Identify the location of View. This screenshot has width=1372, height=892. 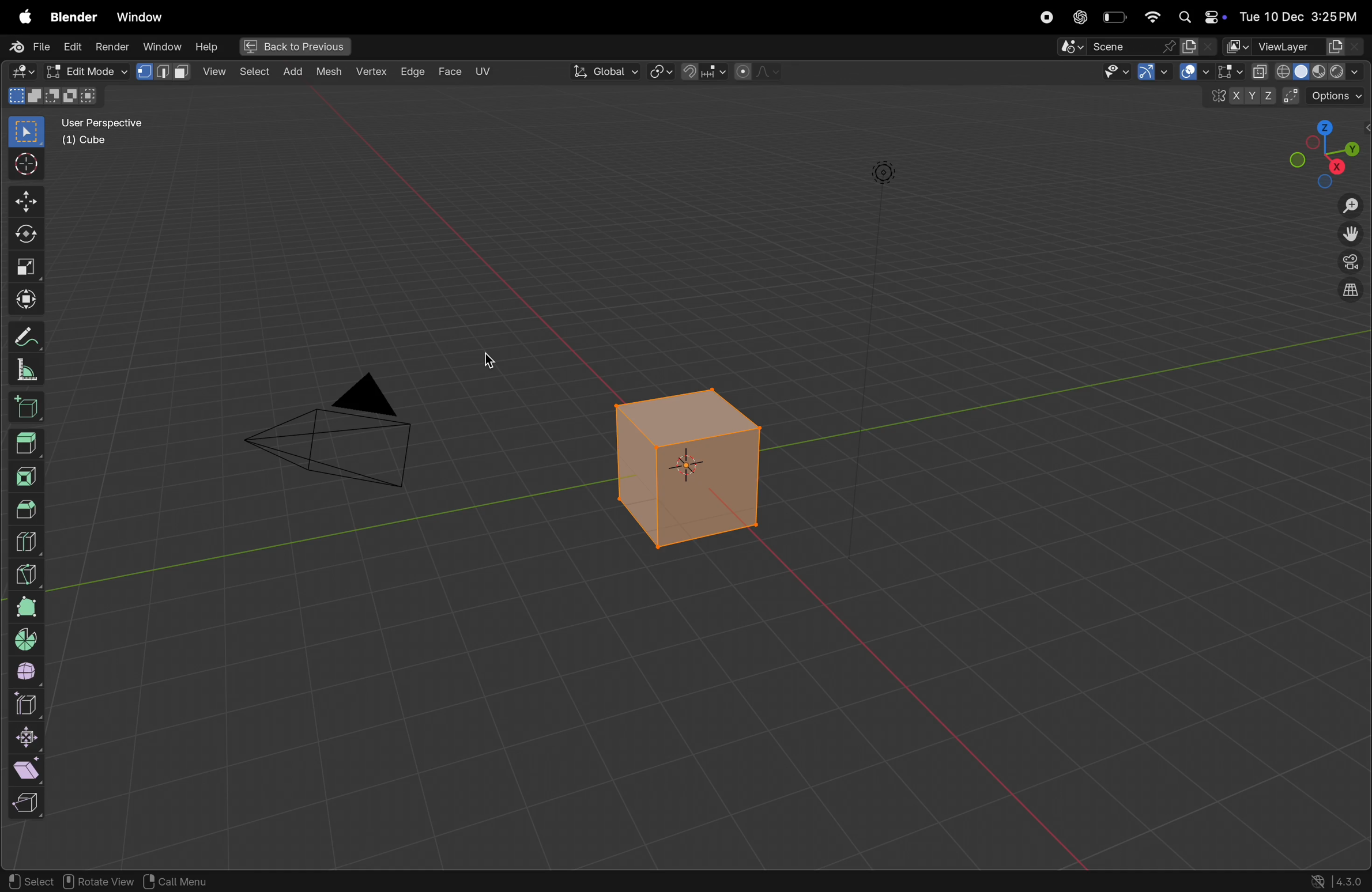
(166, 71).